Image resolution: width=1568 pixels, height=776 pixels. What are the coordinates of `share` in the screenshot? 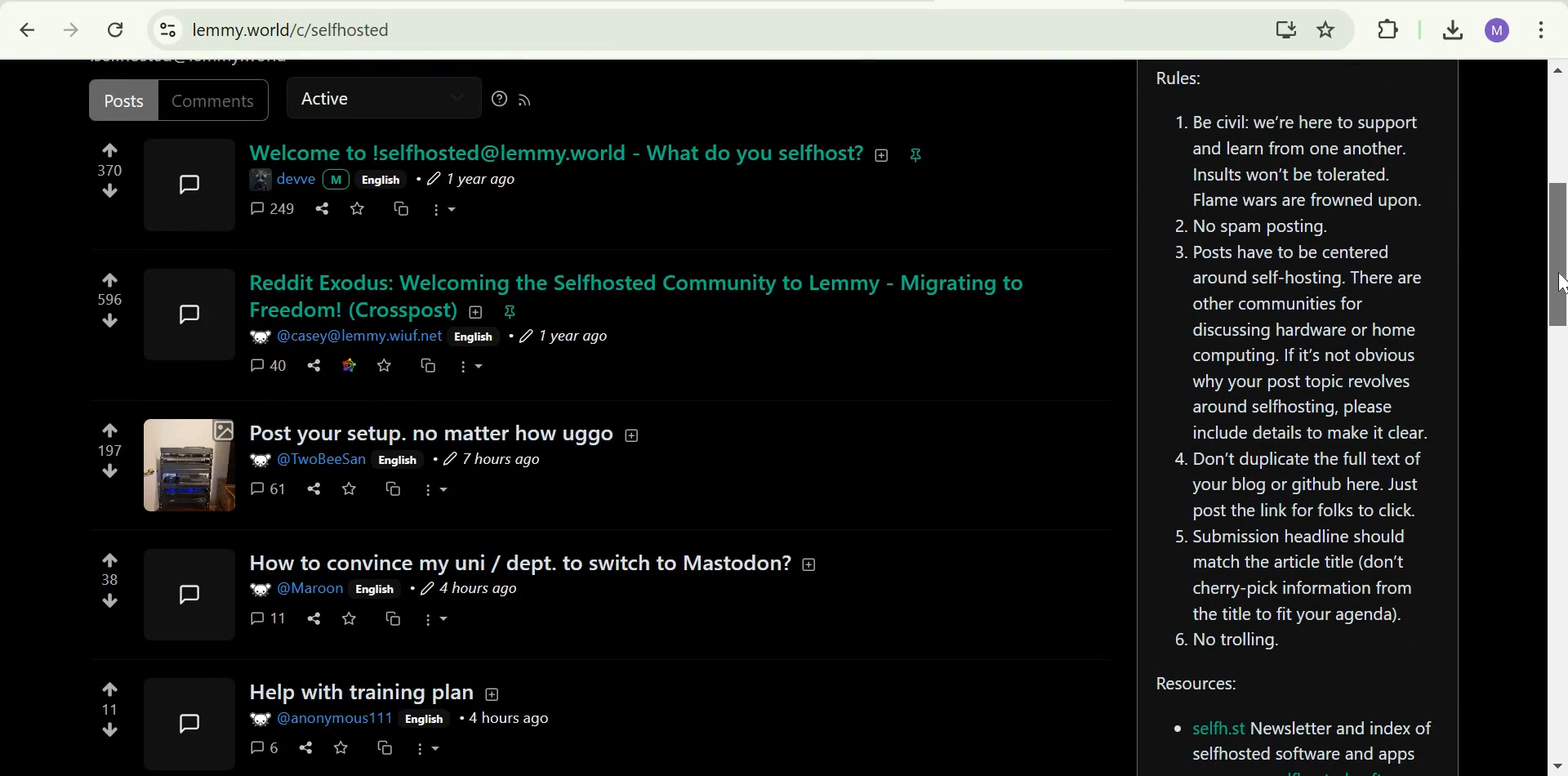 It's located at (315, 618).